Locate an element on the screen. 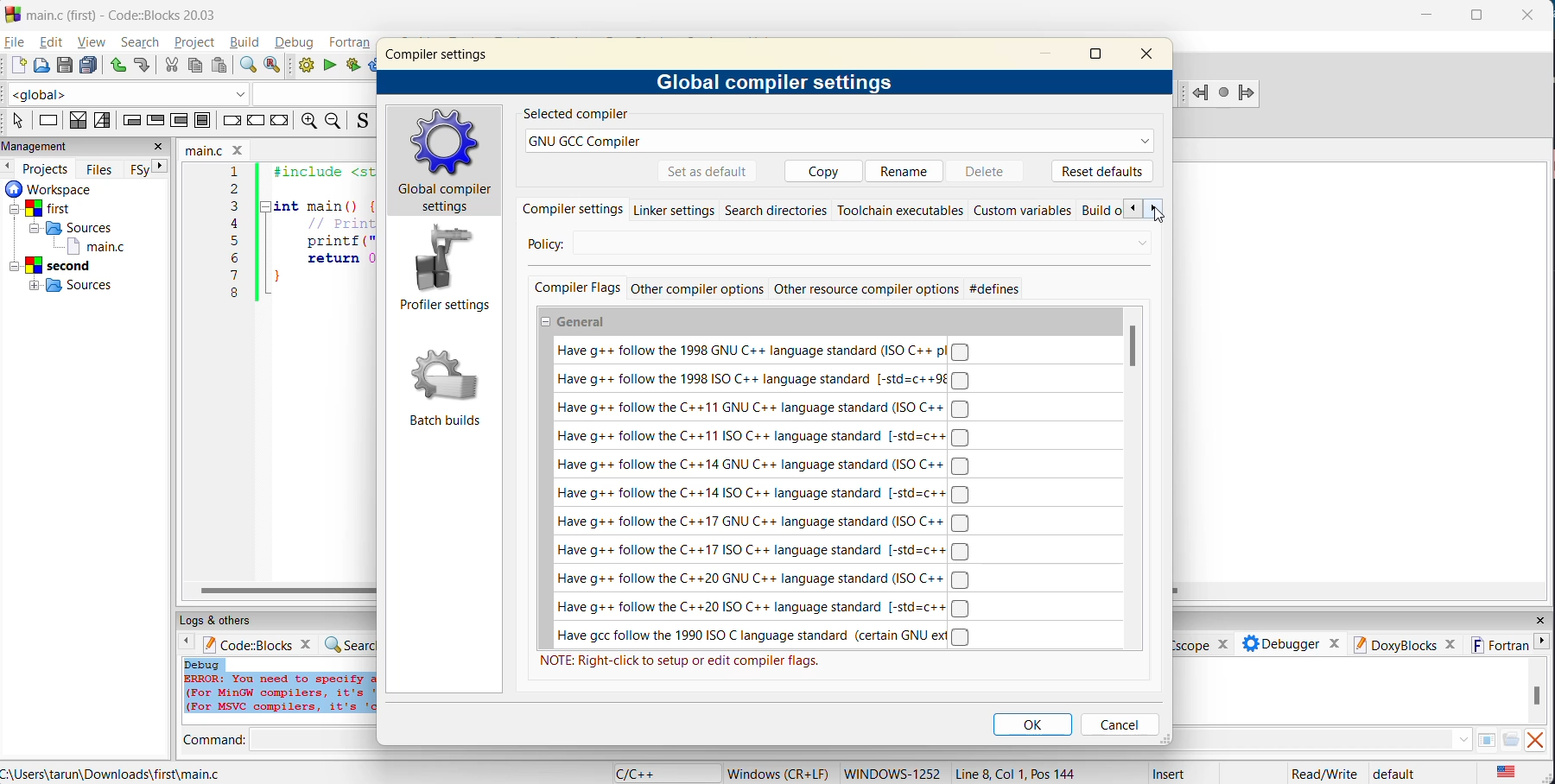 The width and height of the screenshot is (1555, 784). other resource compiler options is located at coordinates (866, 288).